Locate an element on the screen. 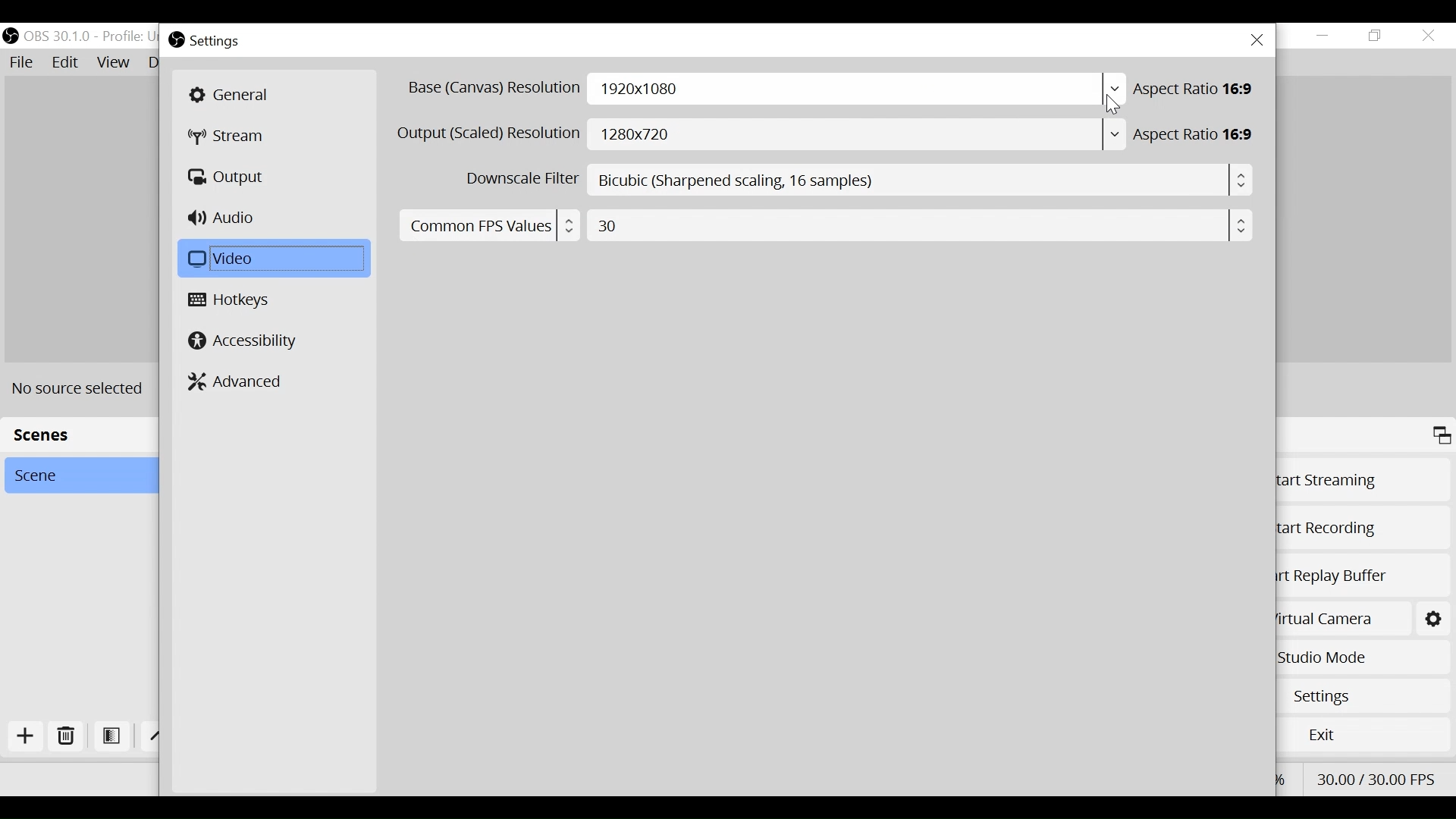 This screenshot has width=1456, height=819. Output (Scaled)Resolution is located at coordinates (489, 133).